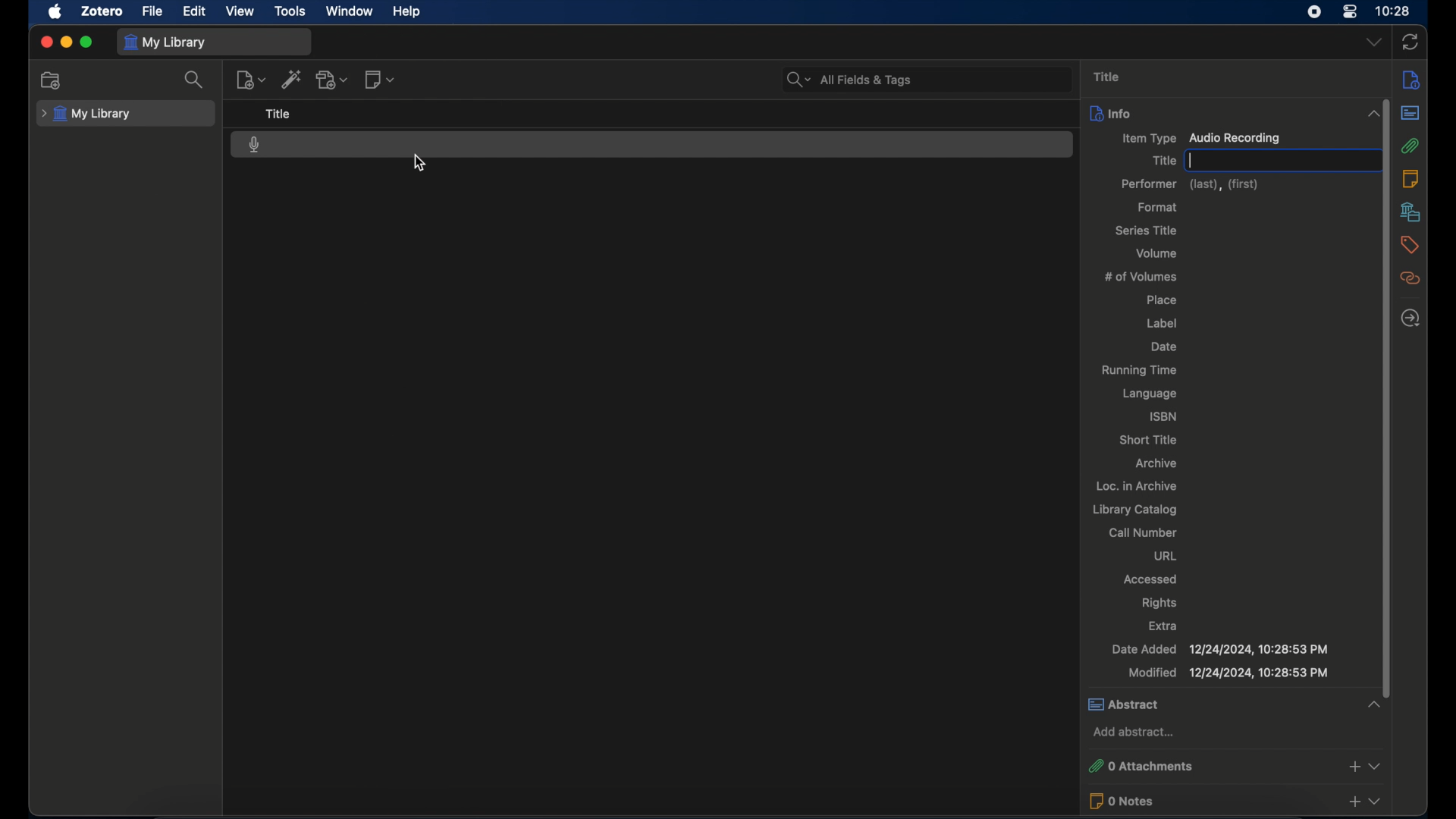  I want to click on dropdown, so click(1373, 42).